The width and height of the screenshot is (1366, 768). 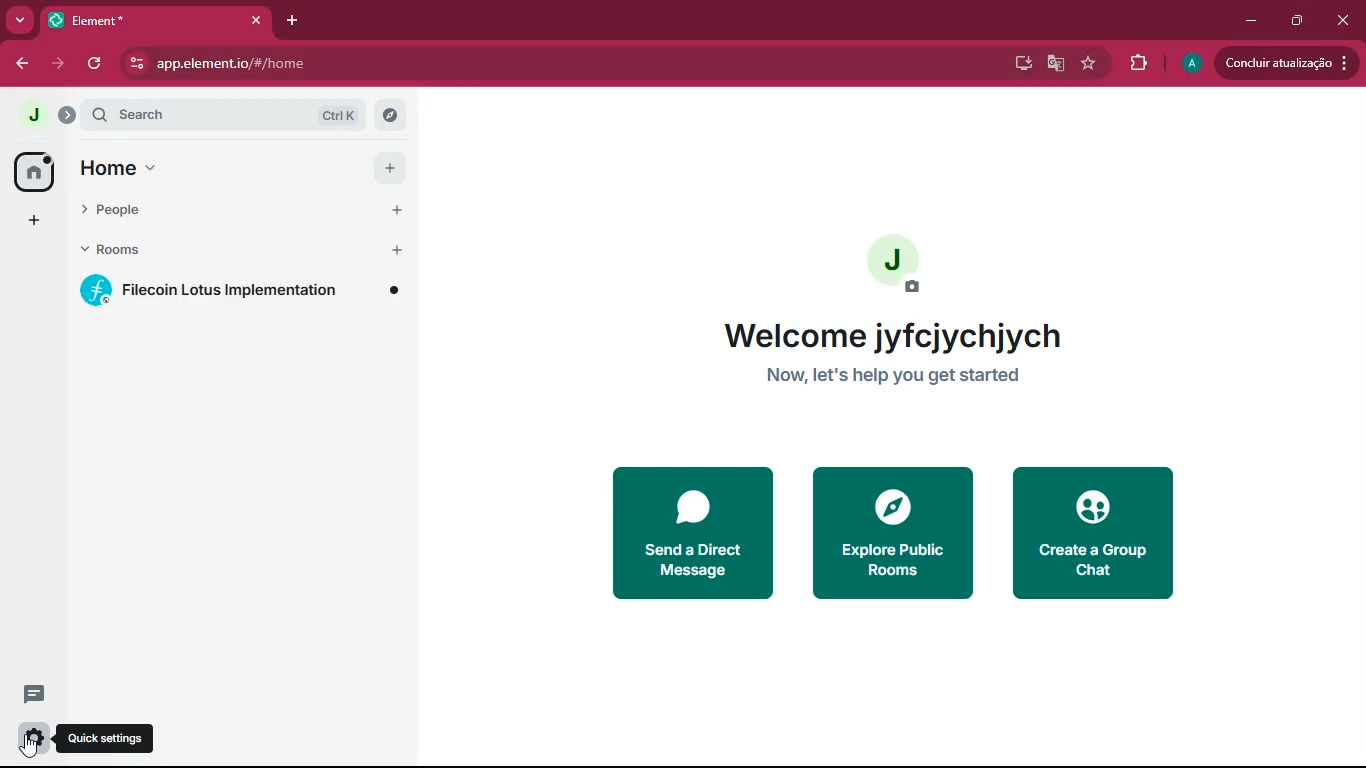 I want to click on profile picture, so click(x=896, y=265).